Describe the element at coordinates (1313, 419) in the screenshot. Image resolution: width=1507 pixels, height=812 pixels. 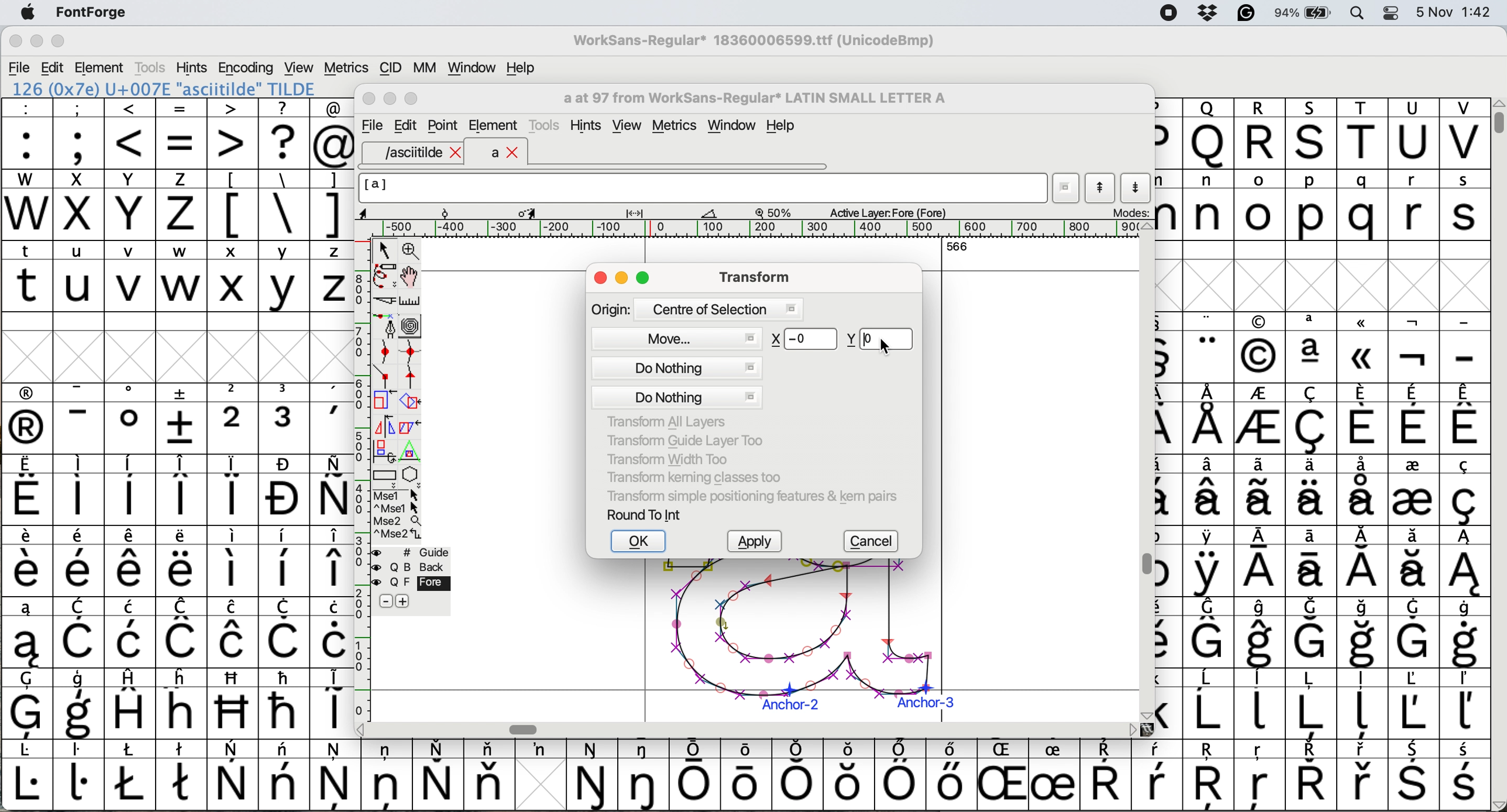
I see `symbol` at that location.